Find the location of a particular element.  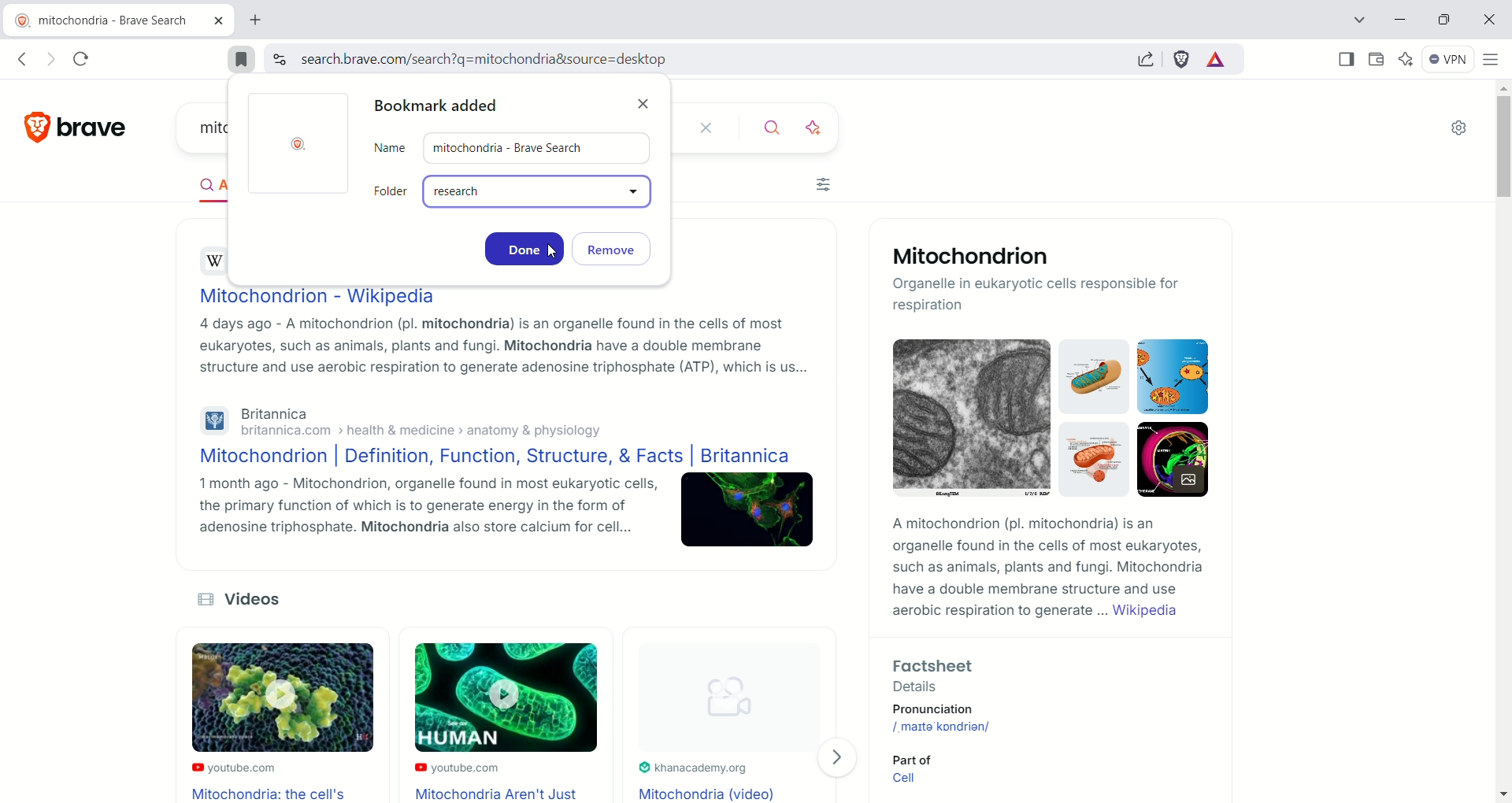

4 days ago - A mitochondrion (pl. mitochondria) is an organelle found in the cells of most
eukaryotes, such as animals, plants and fungi. Mitochondria have a double membrane
structure and use aerobic respiration to generate adenosine triphosphate (ATP), which is us... is located at coordinates (499, 347).